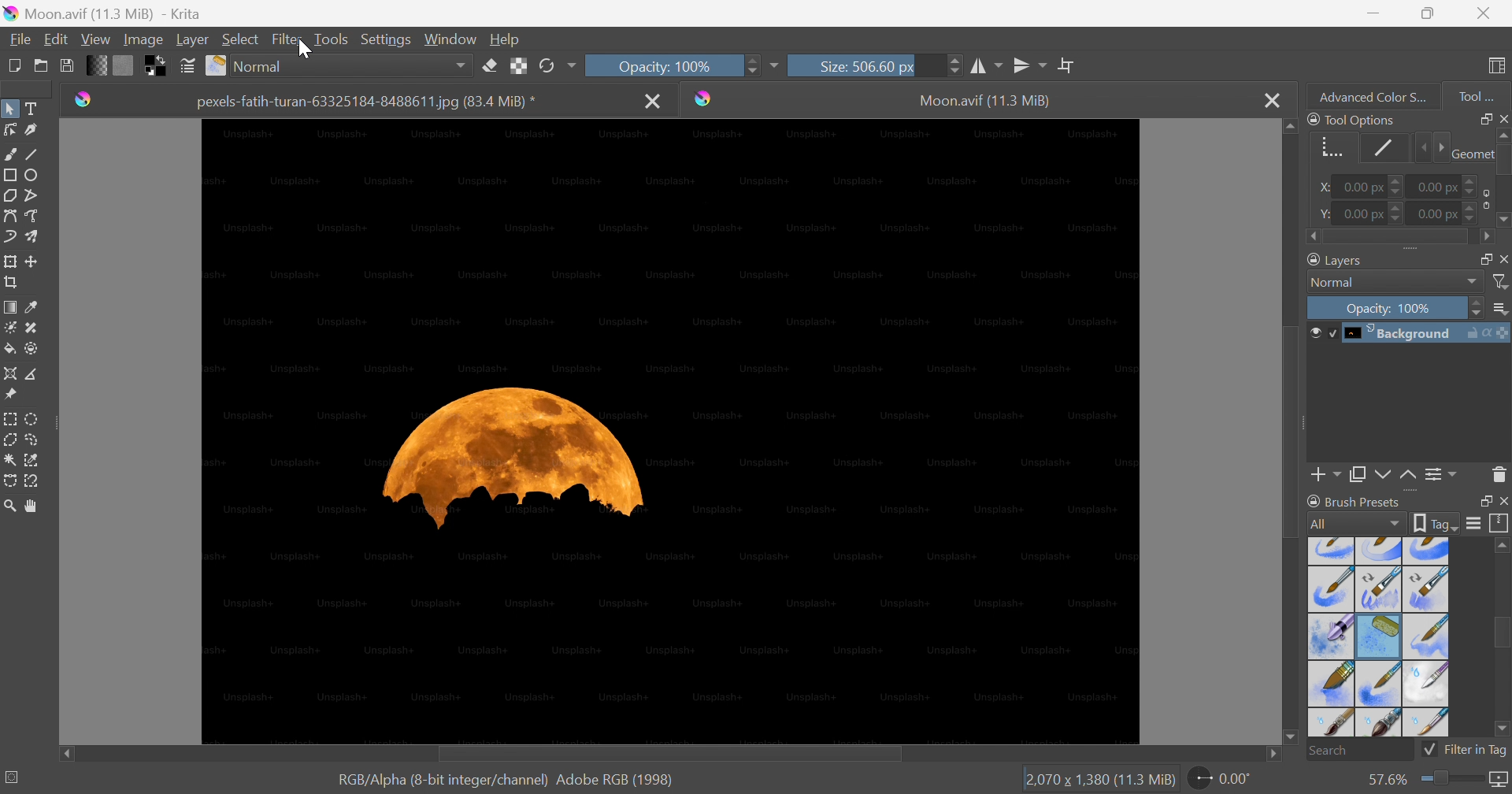  Describe the element at coordinates (241, 39) in the screenshot. I see `Select` at that location.